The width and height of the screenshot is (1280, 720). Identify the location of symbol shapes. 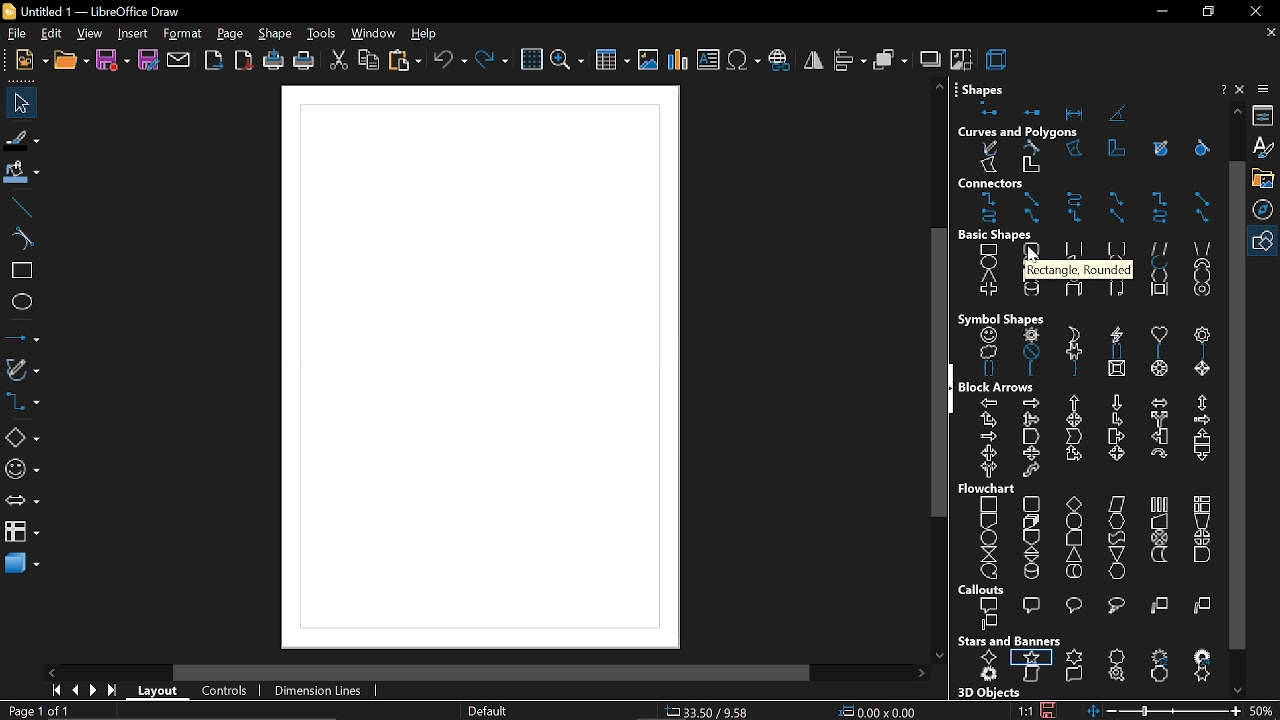
(1001, 318).